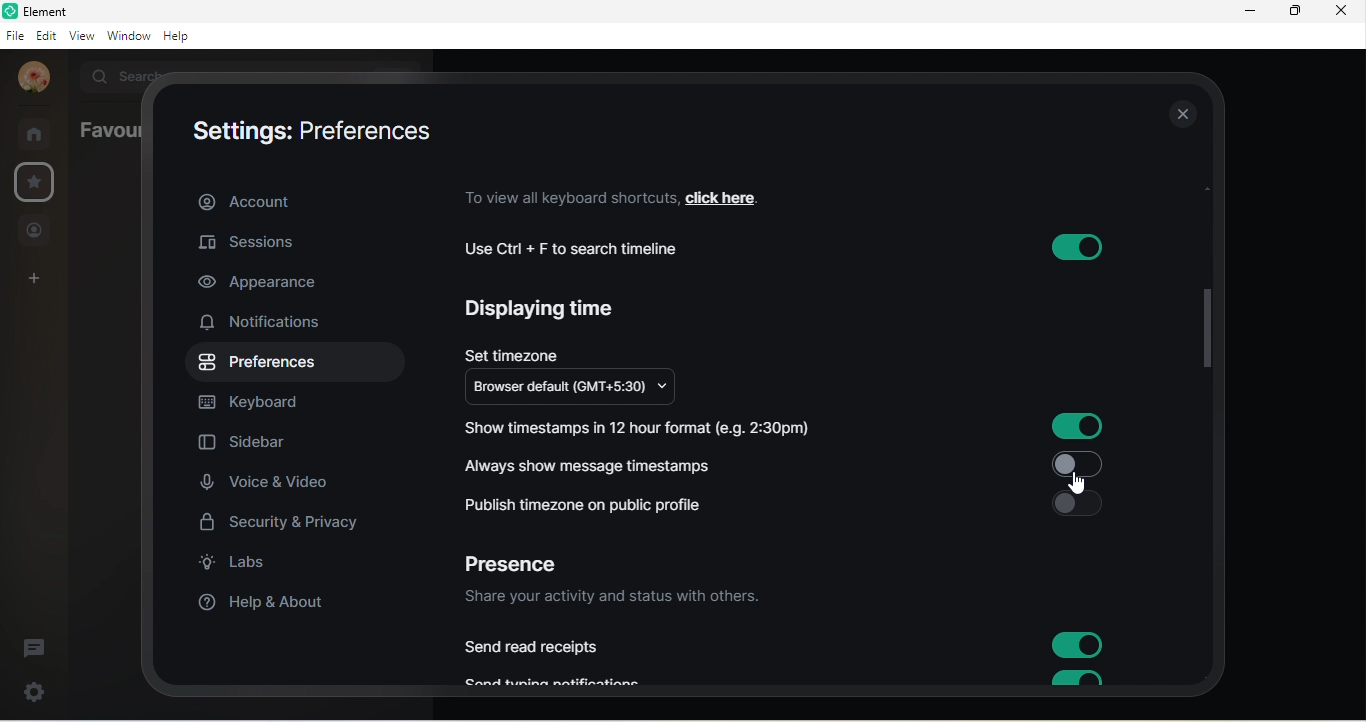 Image resolution: width=1366 pixels, height=722 pixels. What do you see at coordinates (1078, 427) in the screenshot?
I see `button` at bounding box center [1078, 427].